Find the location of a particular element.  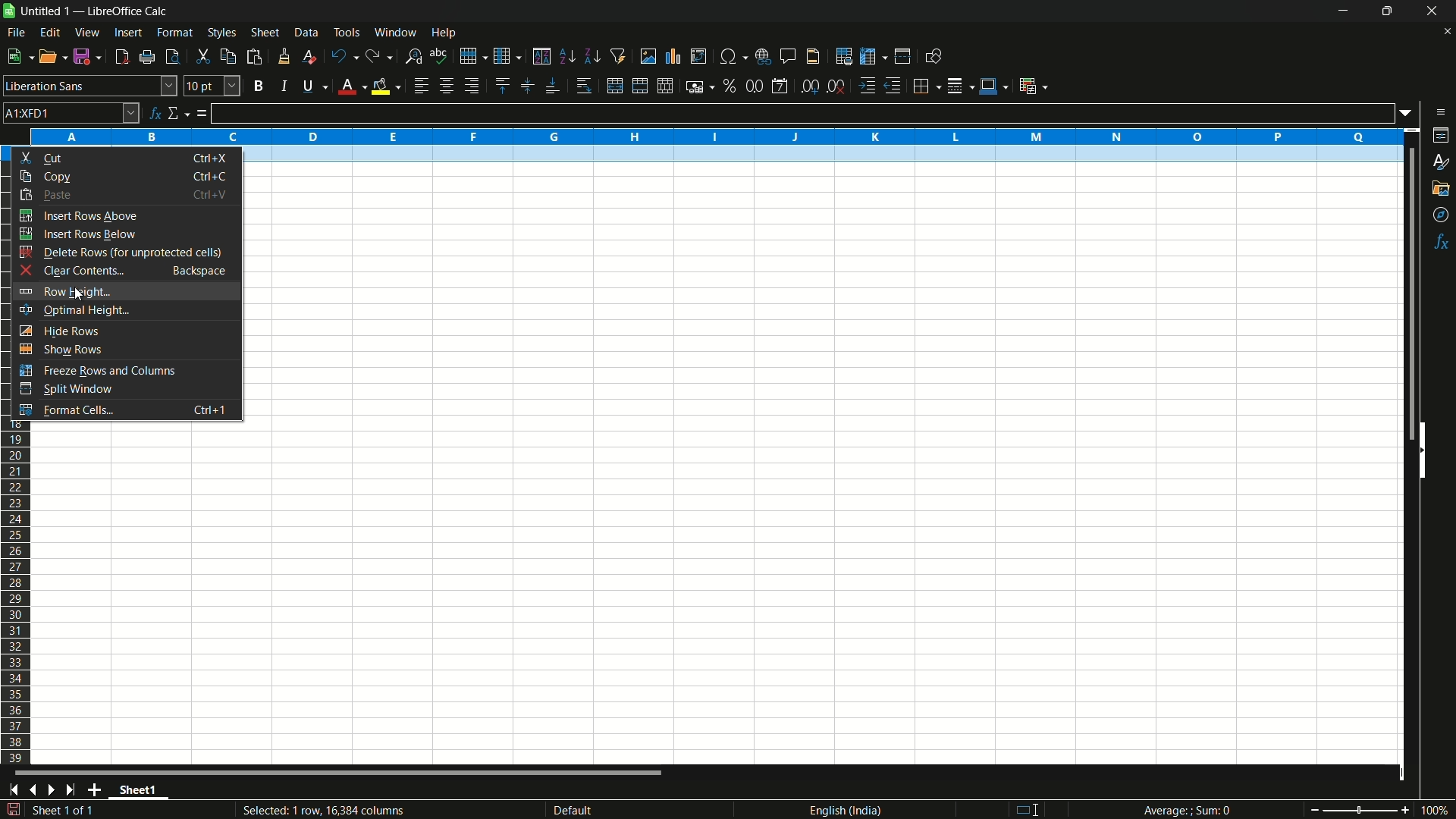

default is located at coordinates (598, 810).